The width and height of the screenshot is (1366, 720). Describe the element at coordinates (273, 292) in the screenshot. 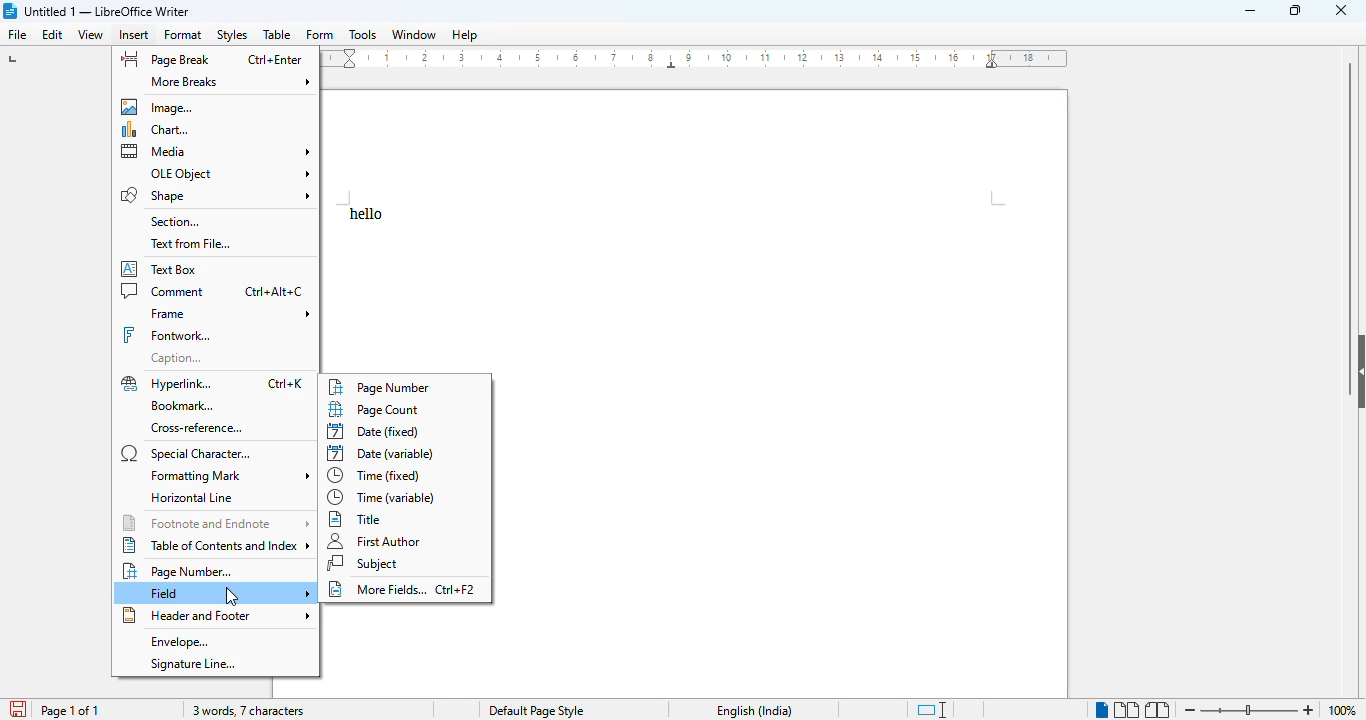

I see `shortcut for comment` at that location.